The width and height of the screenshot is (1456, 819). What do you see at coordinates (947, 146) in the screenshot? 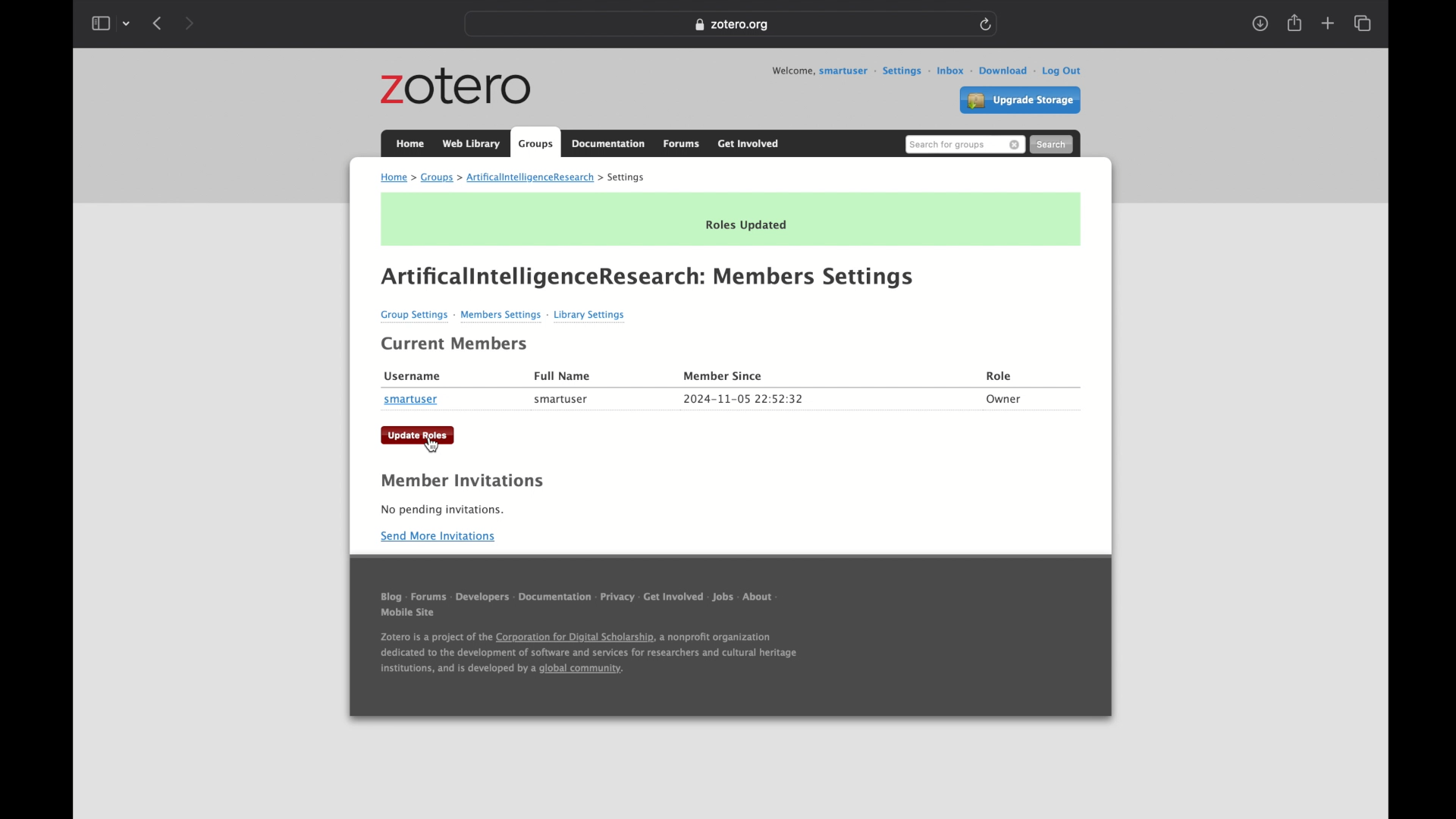
I see `search for groups` at bounding box center [947, 146].